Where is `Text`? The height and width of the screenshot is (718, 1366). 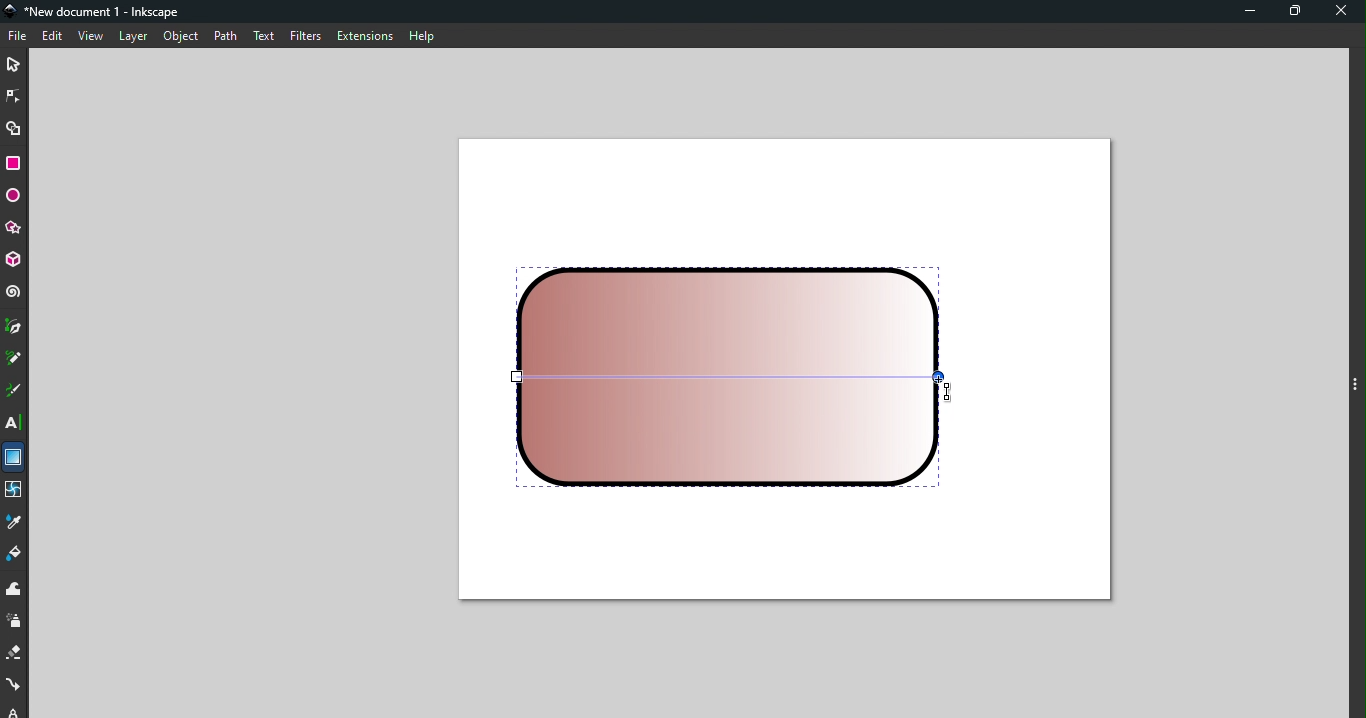
Text is located at coordinates (263, 34).